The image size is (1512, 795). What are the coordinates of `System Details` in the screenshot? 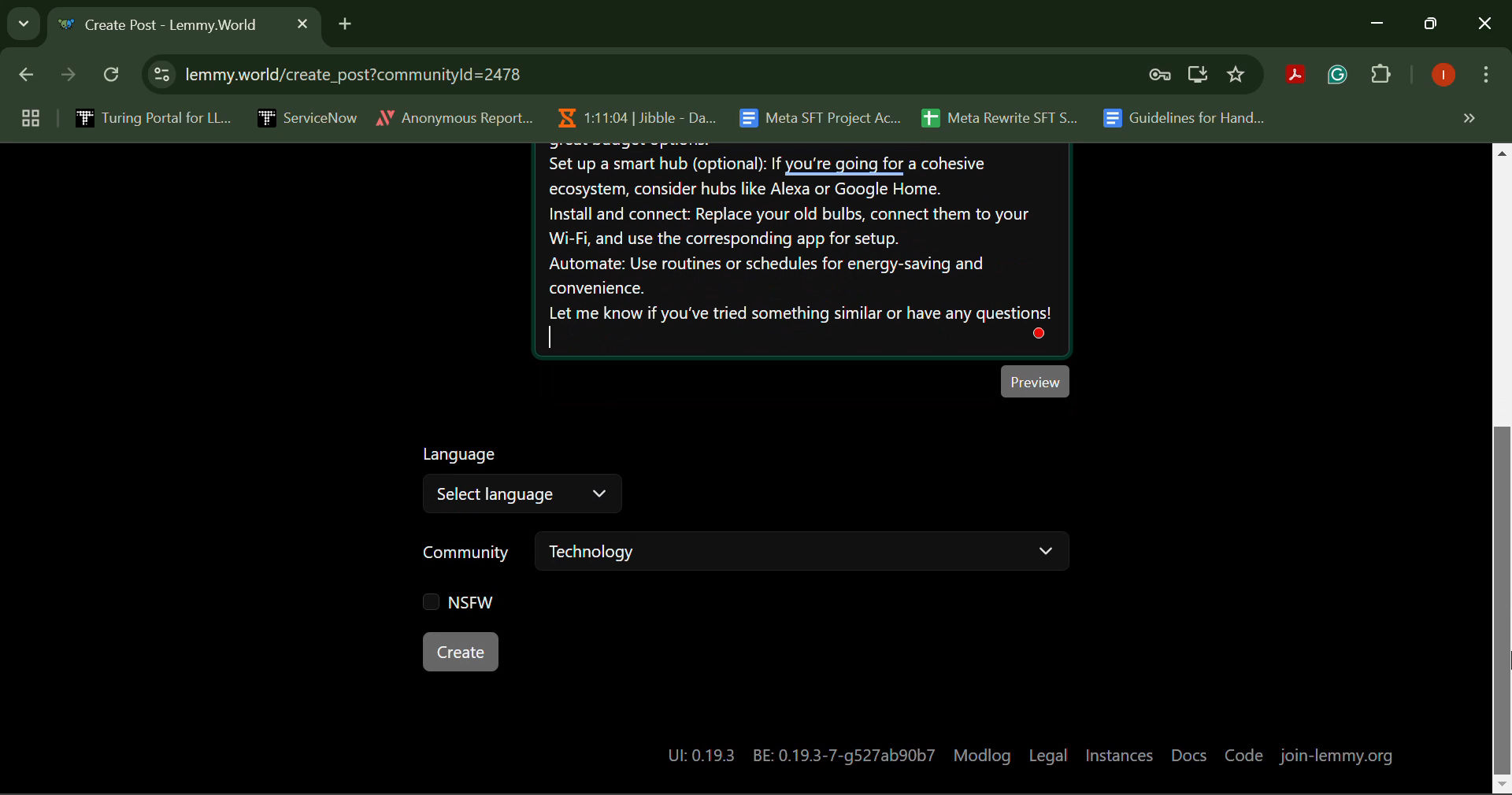 It's located at (792, 751).